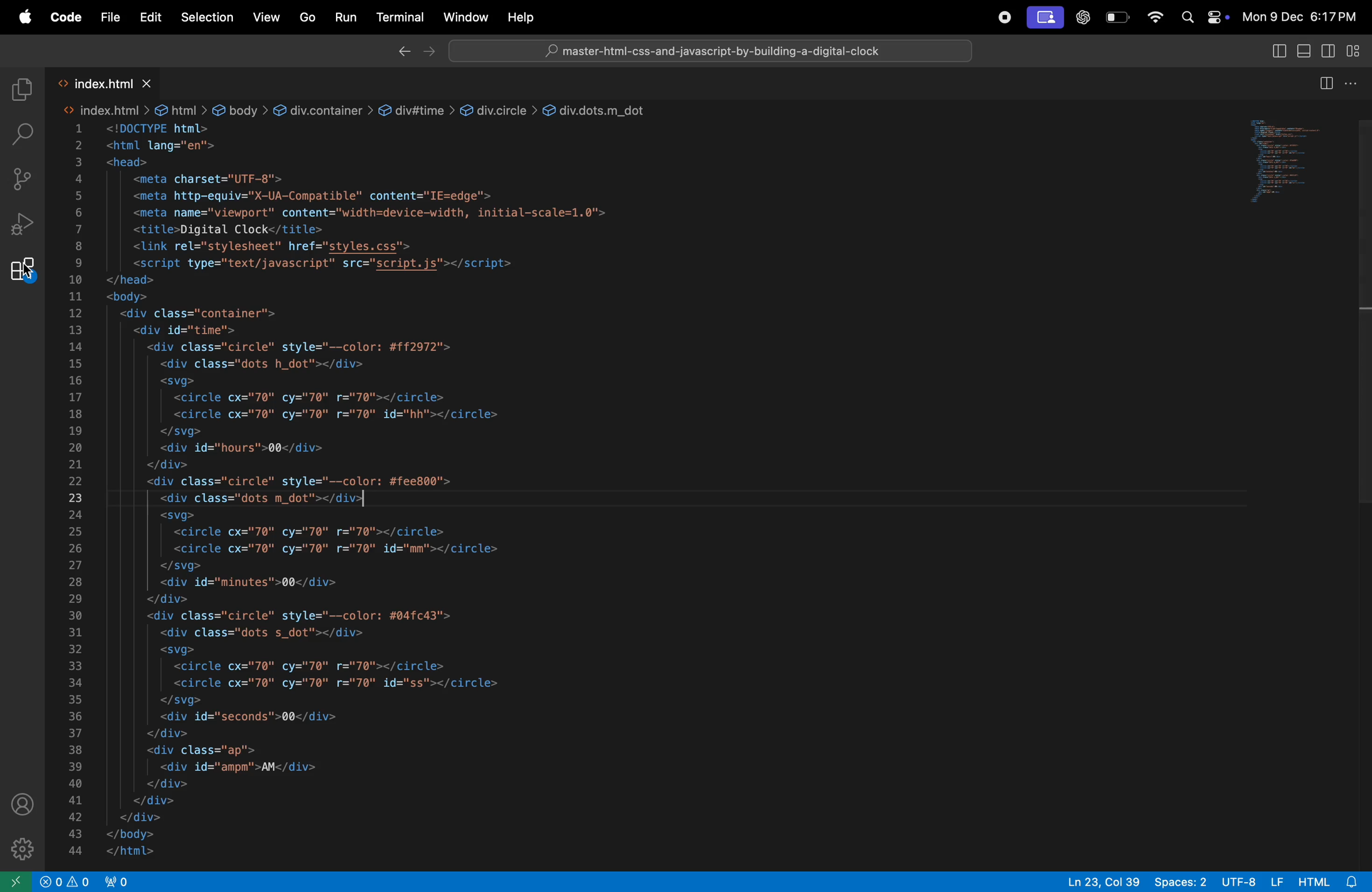 This screenshot has height=892, width=1372. I want to click on Run, so click(346, 17).